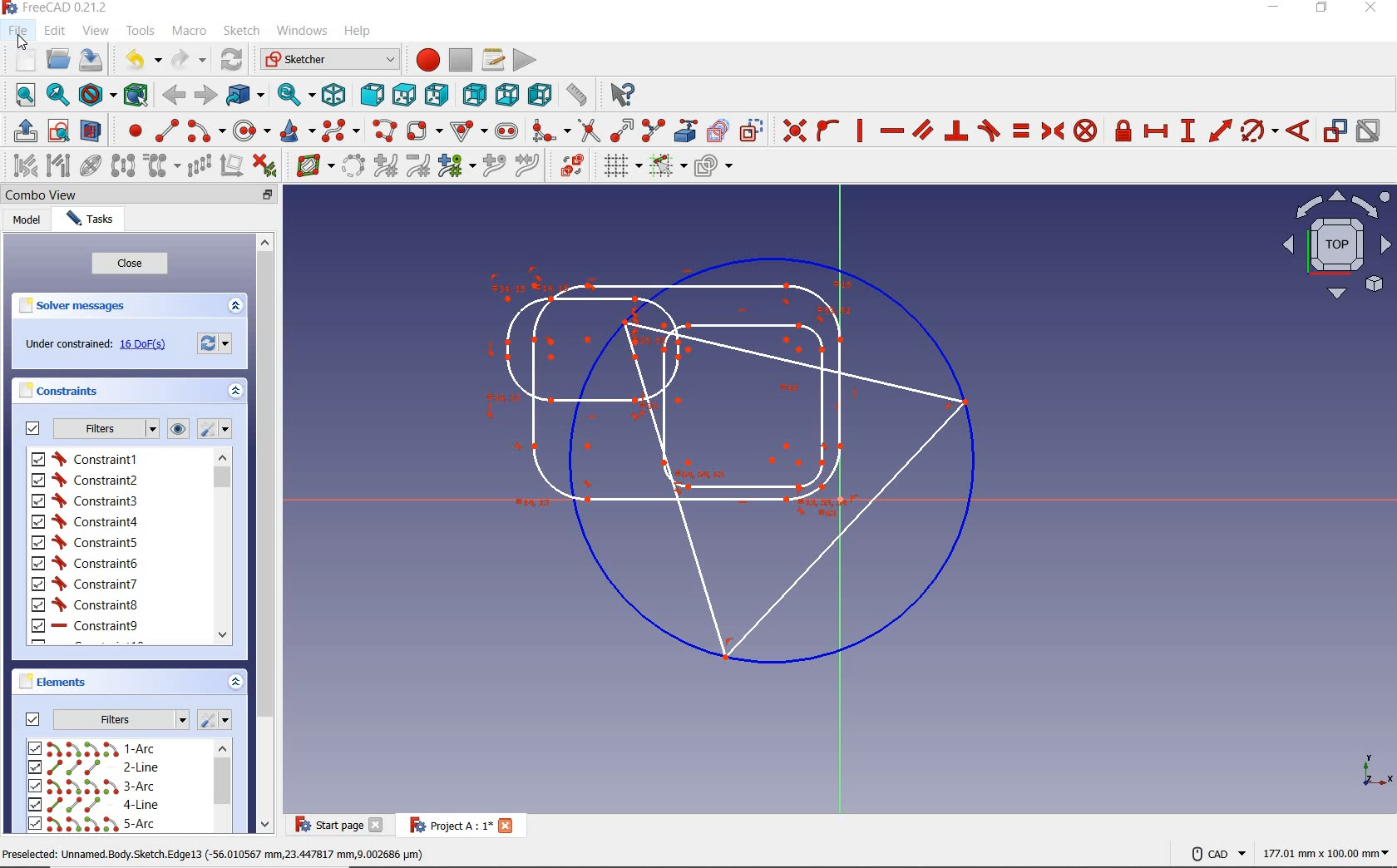  What do you see at coordinates (91, 60) in the screenshot?
I see `save` at bounding box center [91, 60].